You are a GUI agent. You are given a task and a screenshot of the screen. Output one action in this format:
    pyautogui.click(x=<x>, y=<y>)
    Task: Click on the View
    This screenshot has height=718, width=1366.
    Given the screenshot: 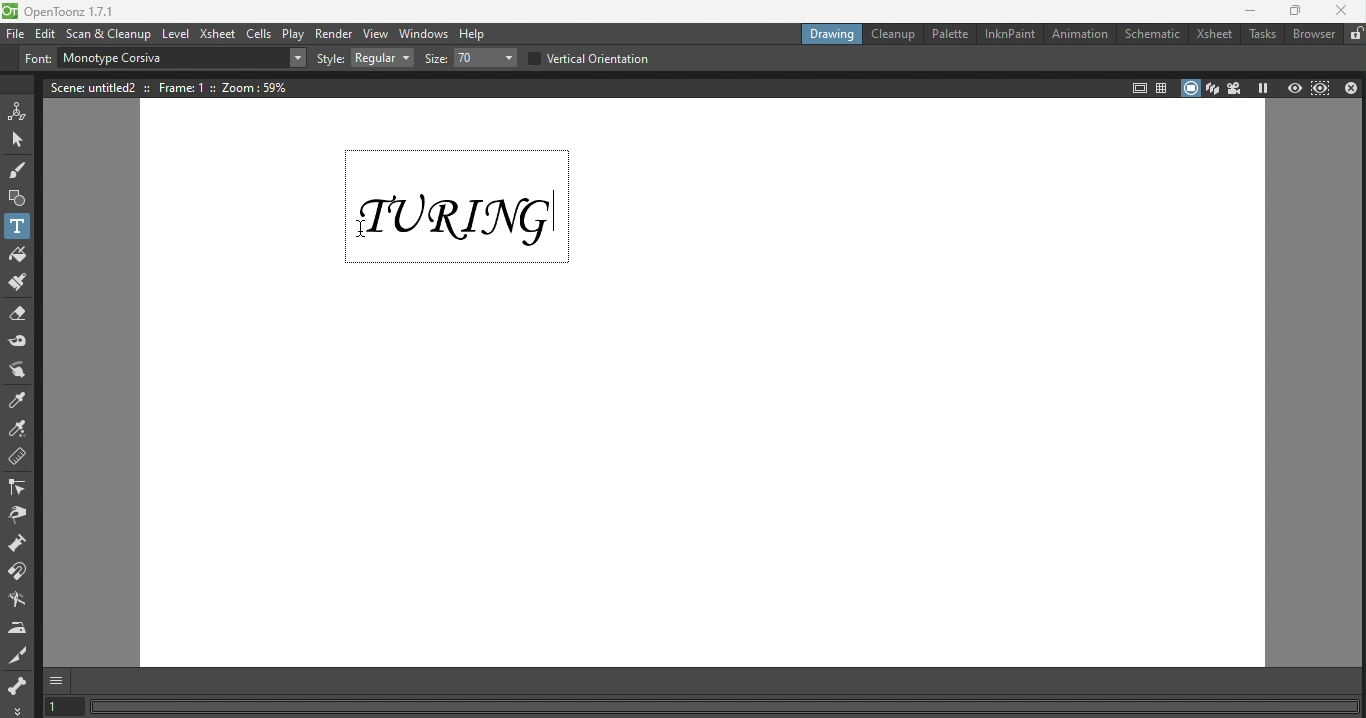 What is the action you would take?
    pyautogui.click(x=377, y=32)
    